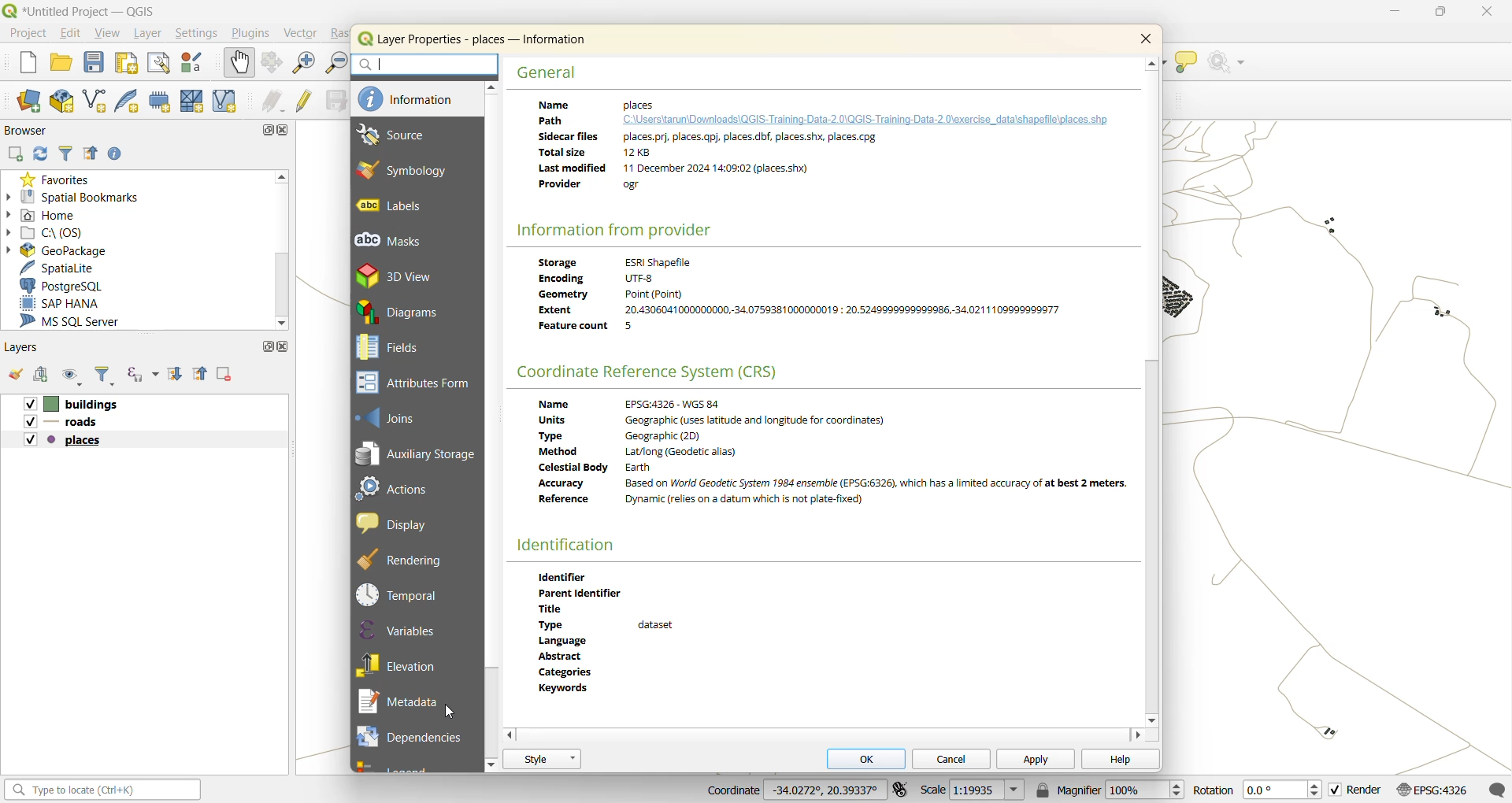 The image size is (1512, 803). I want to click on home, so click(52, 216).